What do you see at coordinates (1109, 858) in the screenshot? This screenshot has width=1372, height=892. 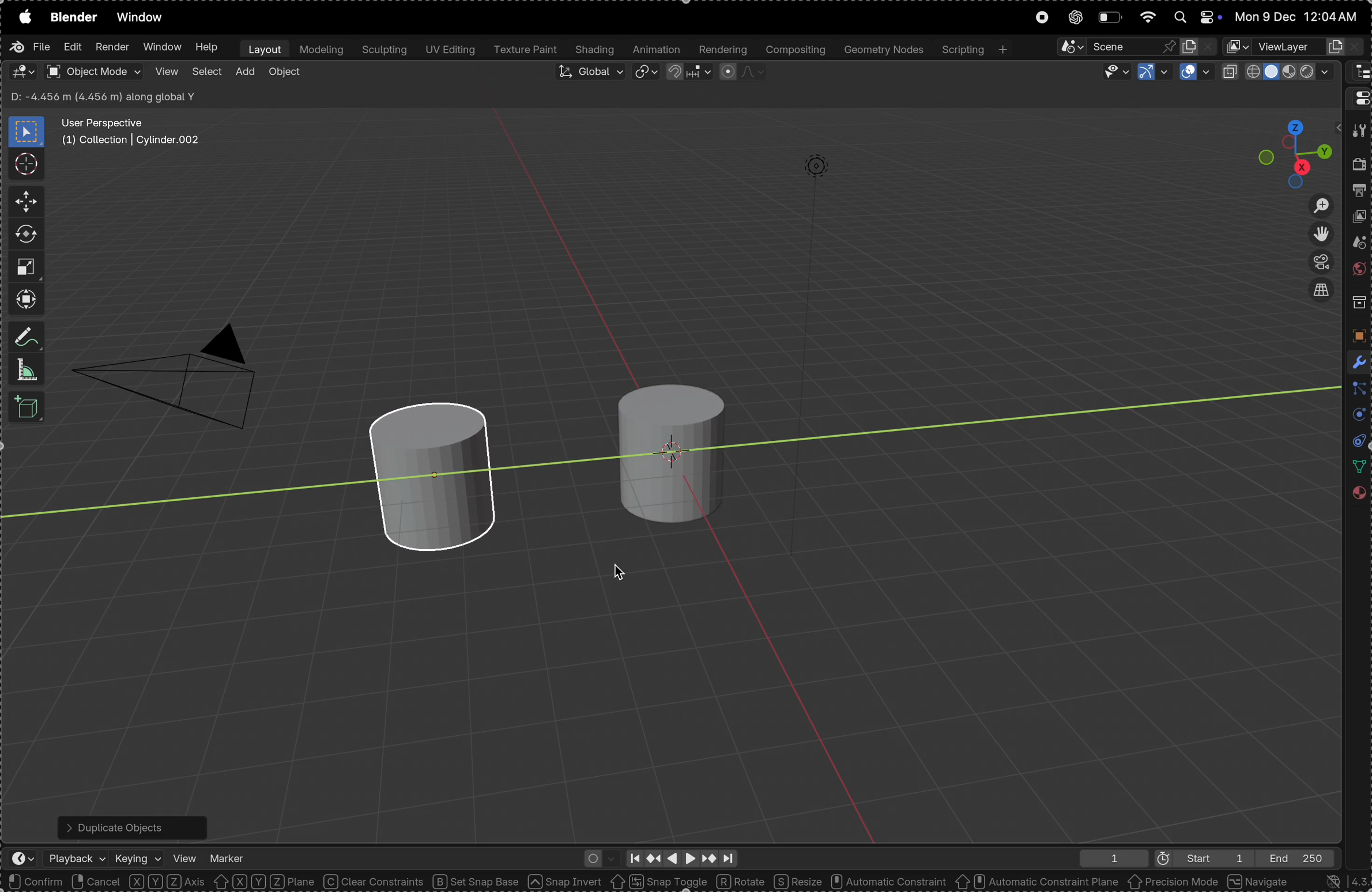 I see `1` at bounding box center [1109, 858].